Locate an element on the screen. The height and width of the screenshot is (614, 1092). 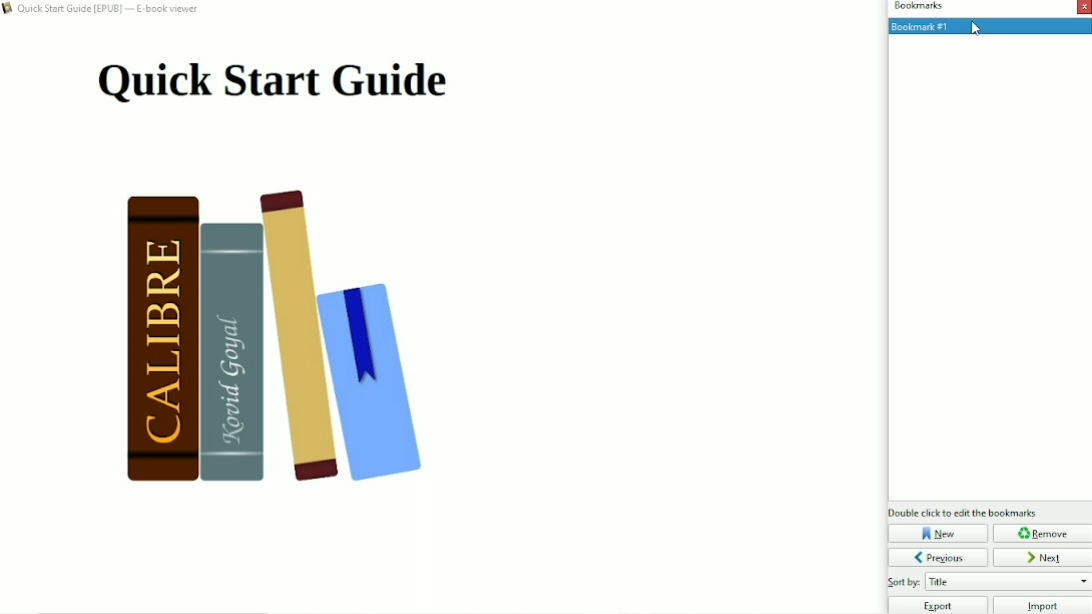
Export is located at coordinates (938, 605).